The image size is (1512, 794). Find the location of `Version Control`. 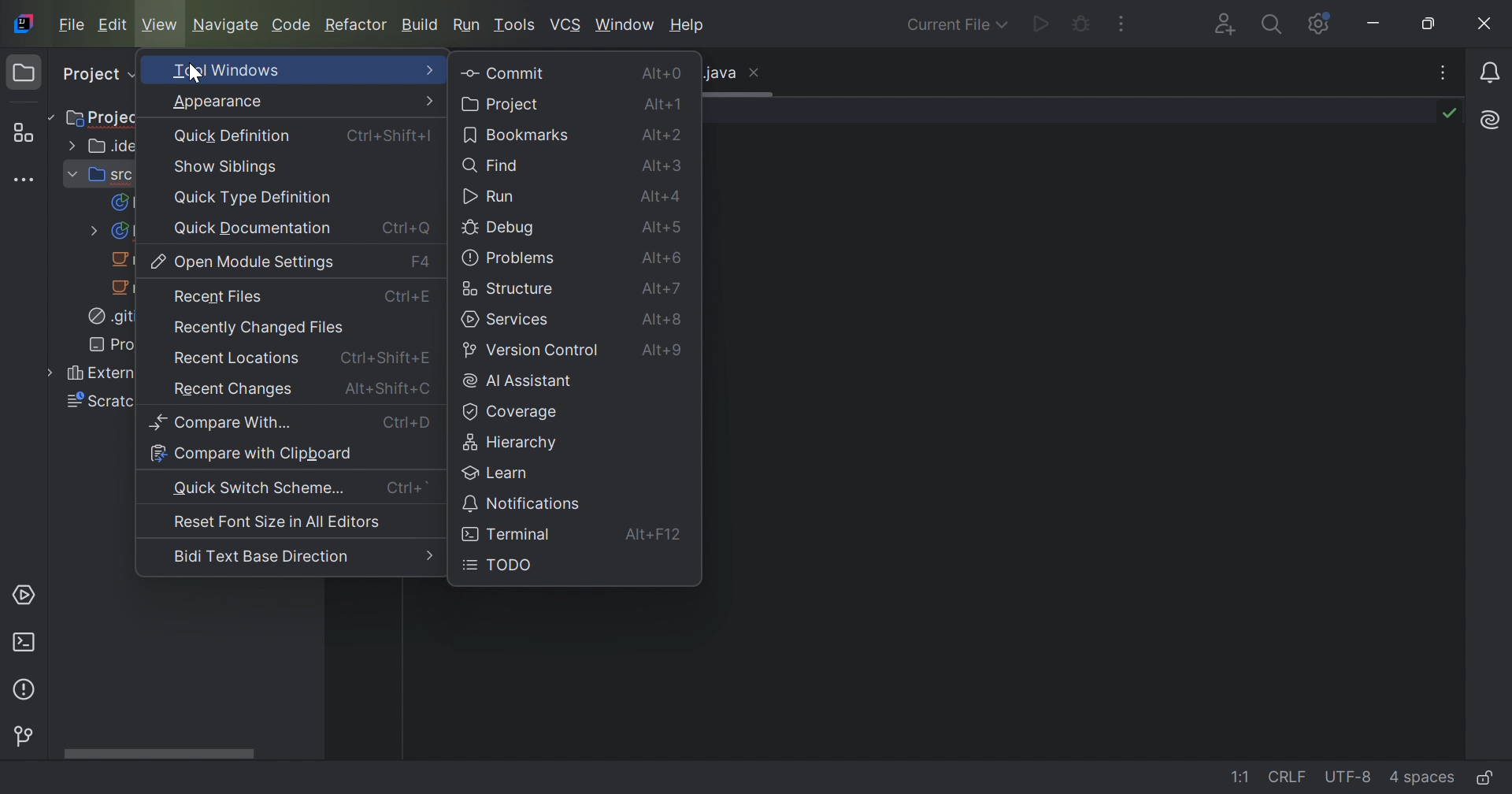

Version Control is located at coordinates (532, 351).